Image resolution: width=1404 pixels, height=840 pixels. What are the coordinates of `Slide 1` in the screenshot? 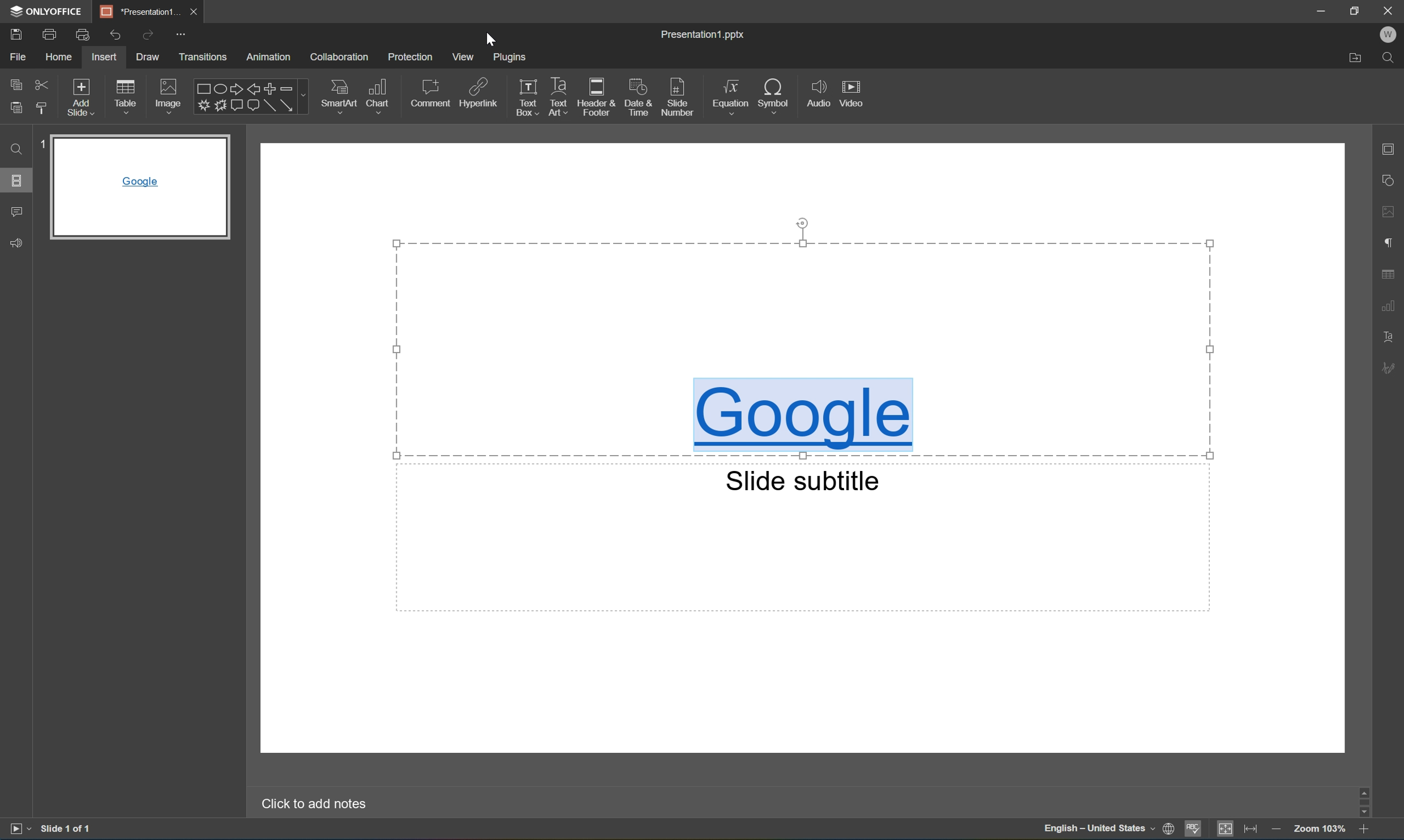 It's located at (132, 187).